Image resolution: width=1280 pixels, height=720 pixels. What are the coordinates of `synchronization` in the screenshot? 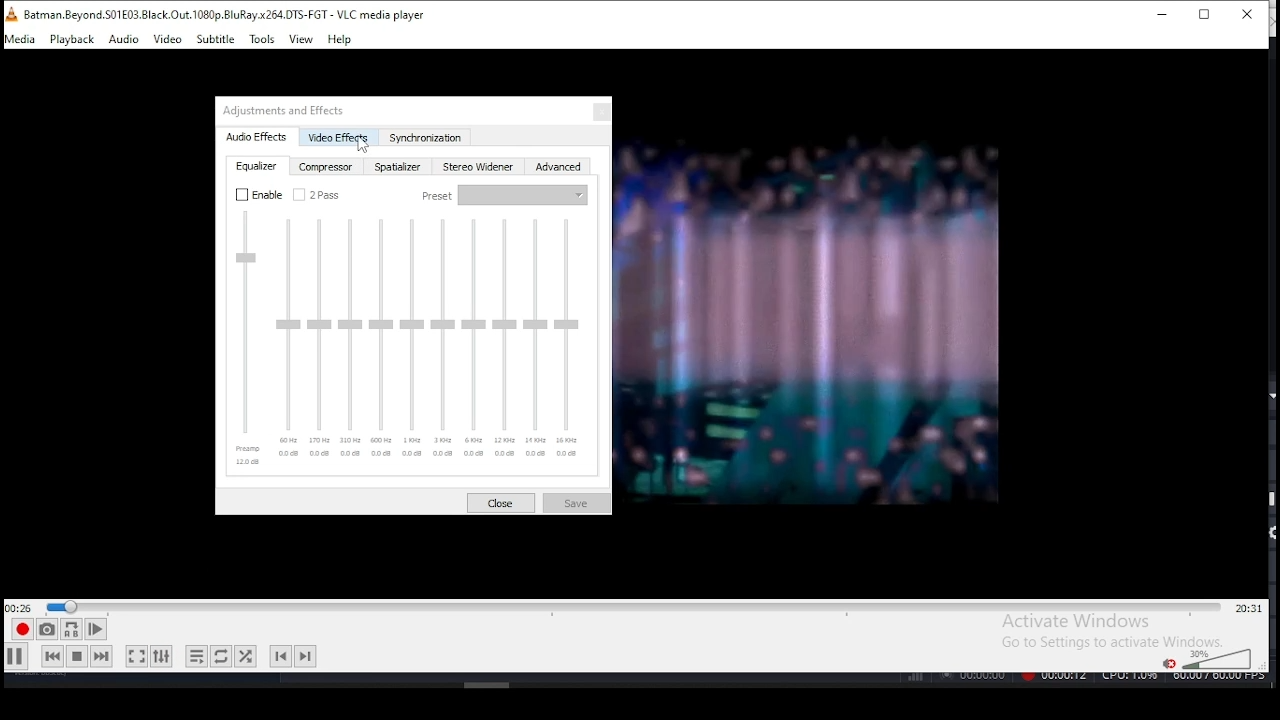 It's located at (426, 138).